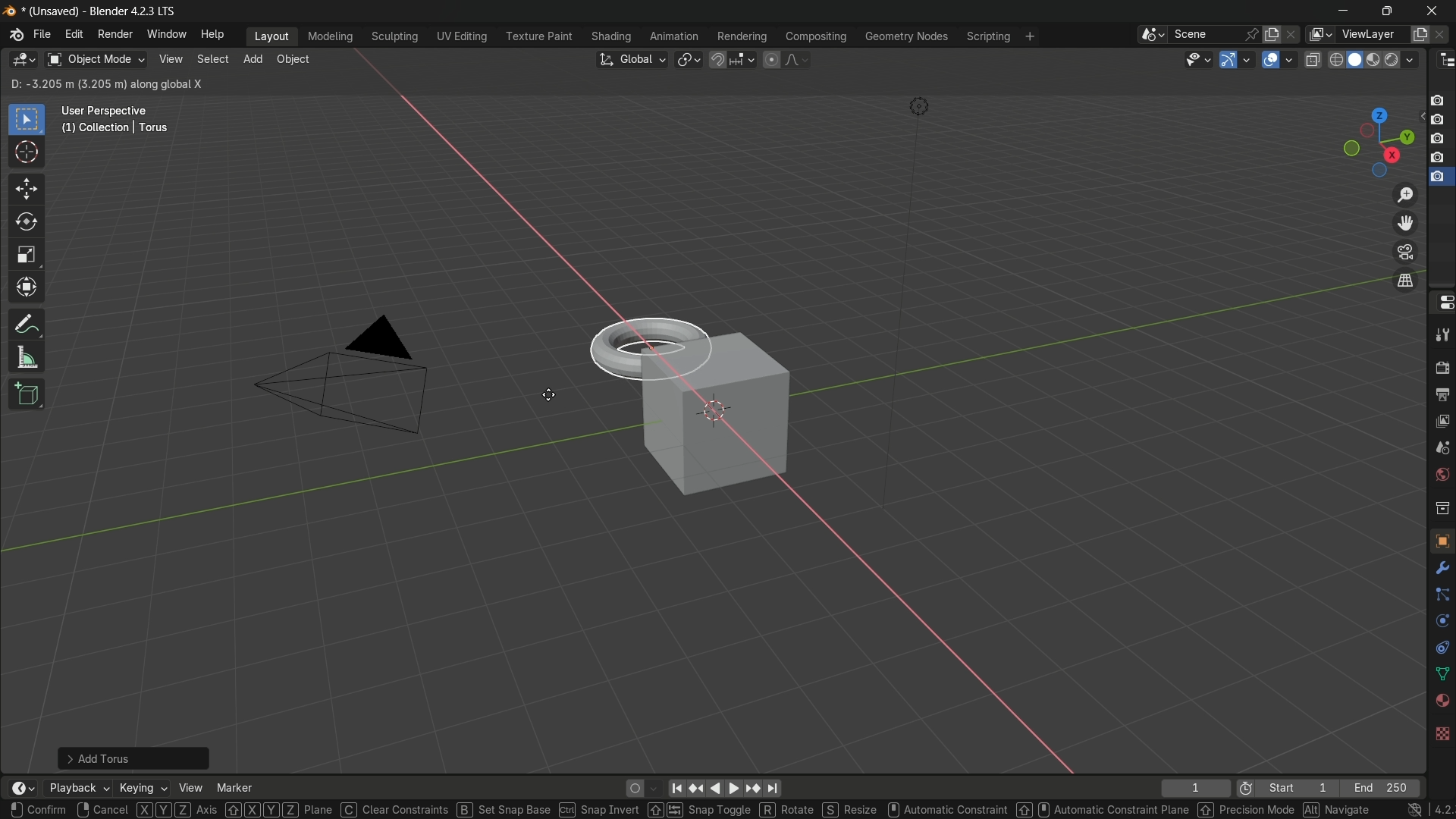  What do you see at coordinates (1376, 61) in the screenshot?
I see `render` at bounding box center [1376, 61].